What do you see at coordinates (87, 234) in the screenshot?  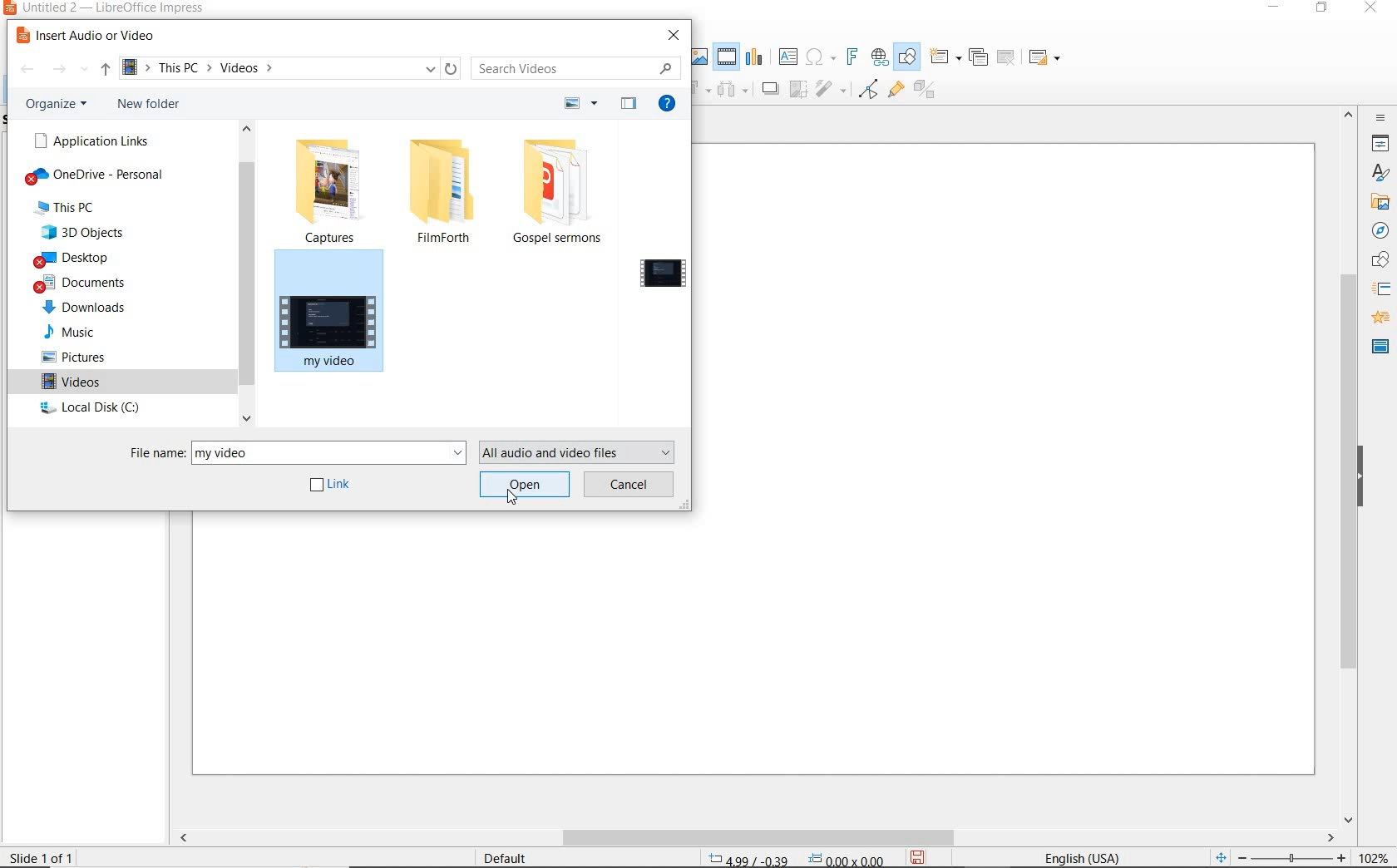 I see `3d objects` at bounding box center [87, 234].